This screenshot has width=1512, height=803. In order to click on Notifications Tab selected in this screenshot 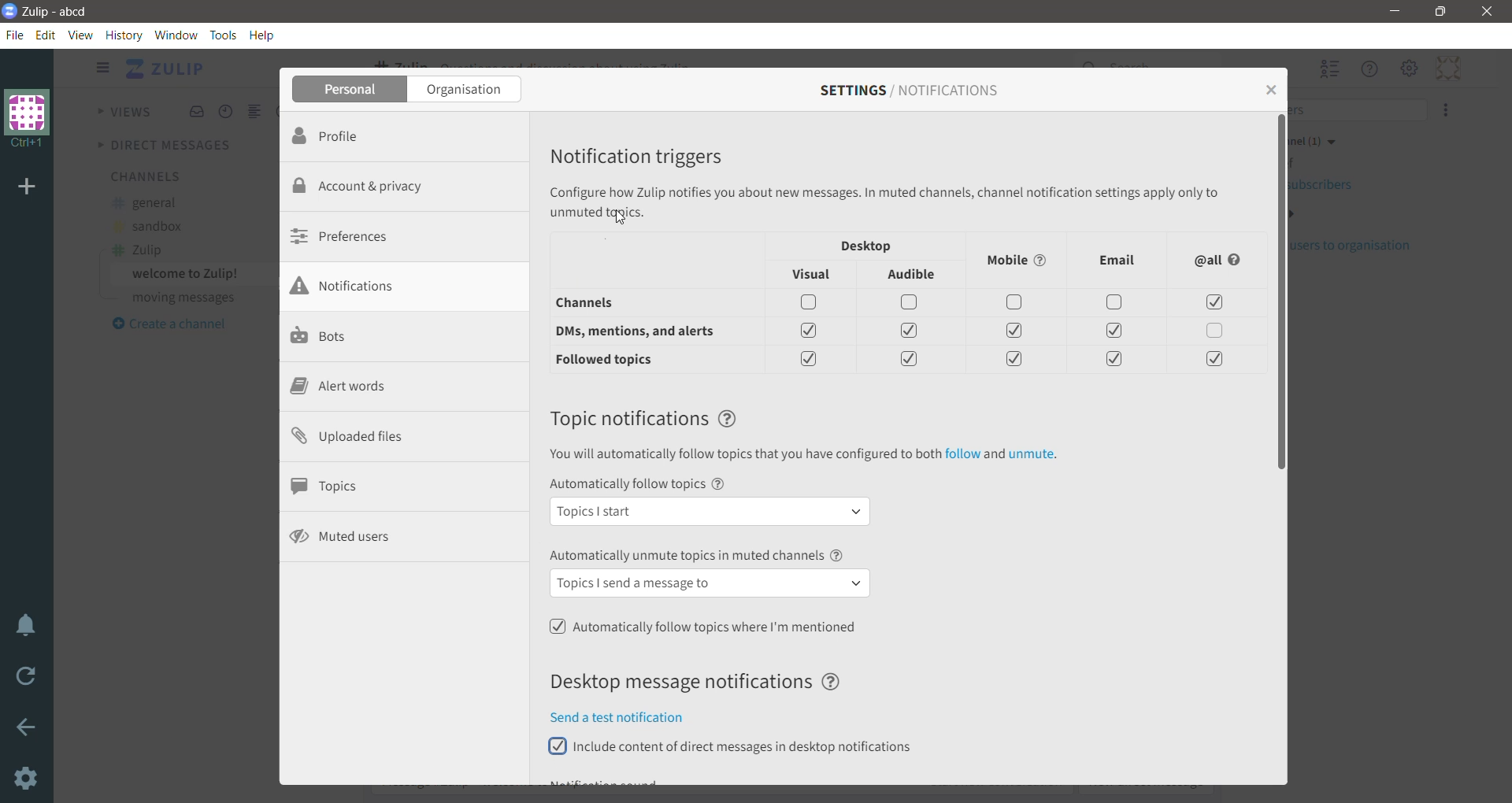, I will do `click(406, 287)`.